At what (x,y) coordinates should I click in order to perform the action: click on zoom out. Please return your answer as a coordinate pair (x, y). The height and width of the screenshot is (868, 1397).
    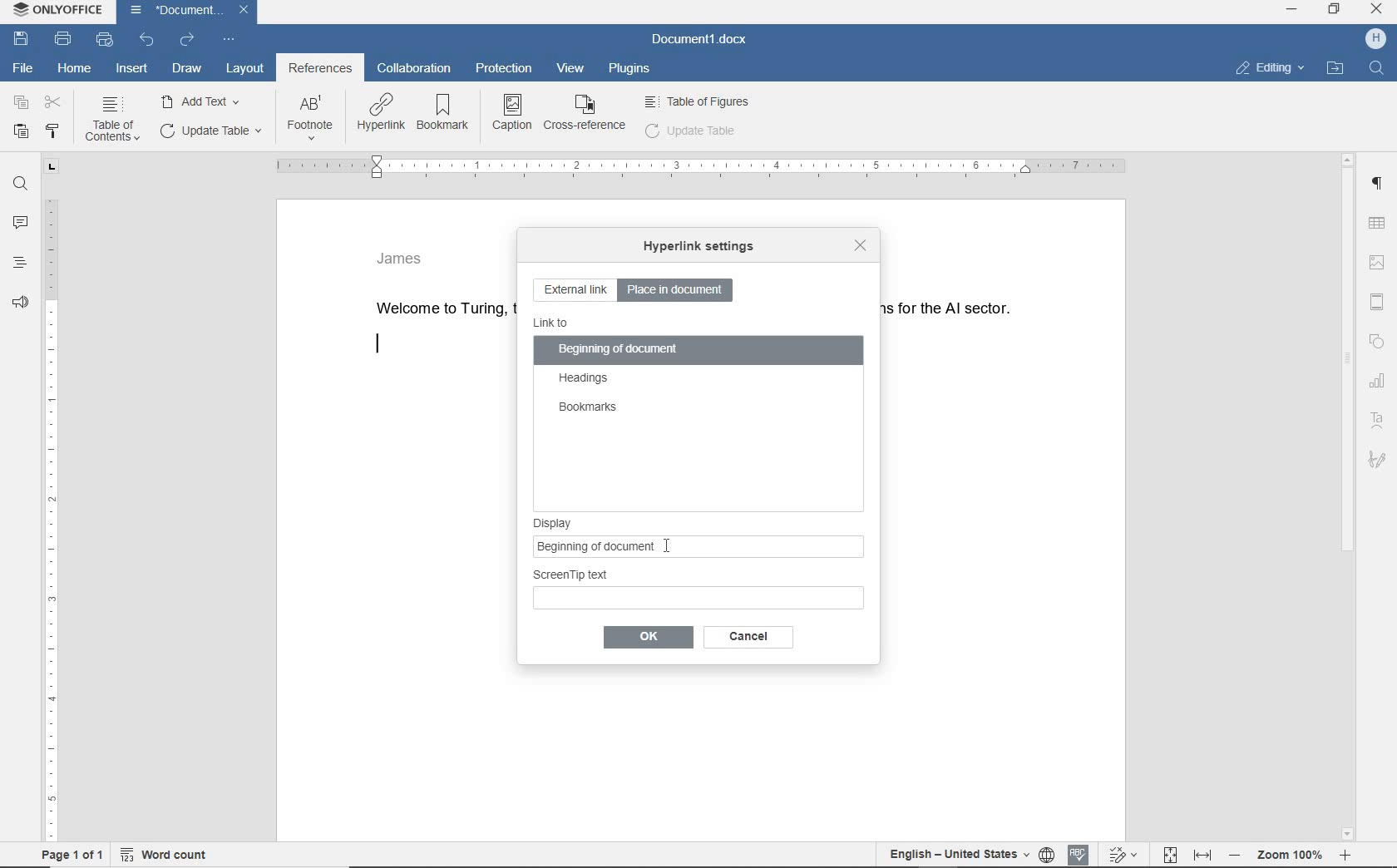
    Looking at the image, I should click on (1238, 857).